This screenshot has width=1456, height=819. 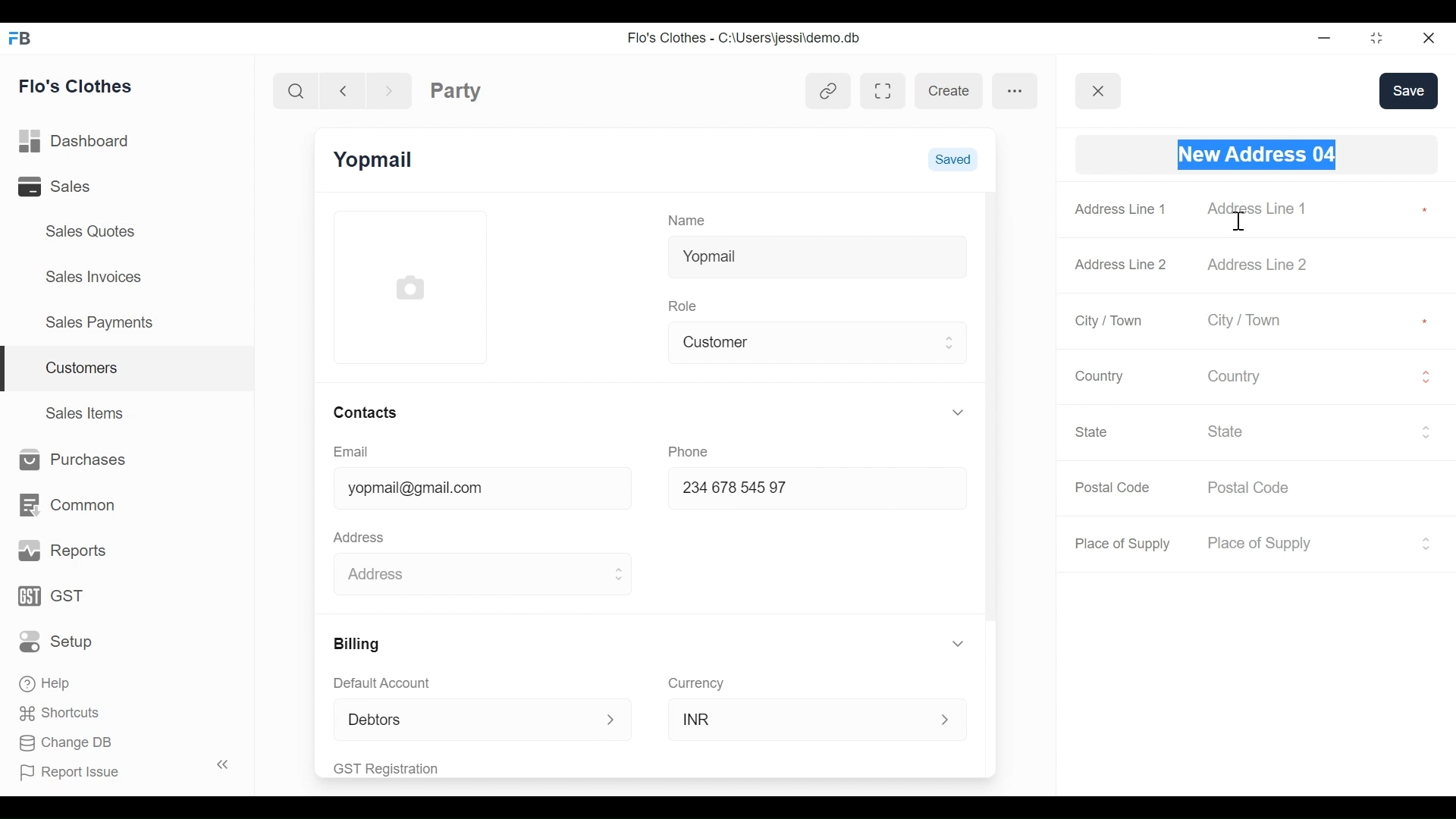 I want to click on Billing, so click(x=355, y=644).